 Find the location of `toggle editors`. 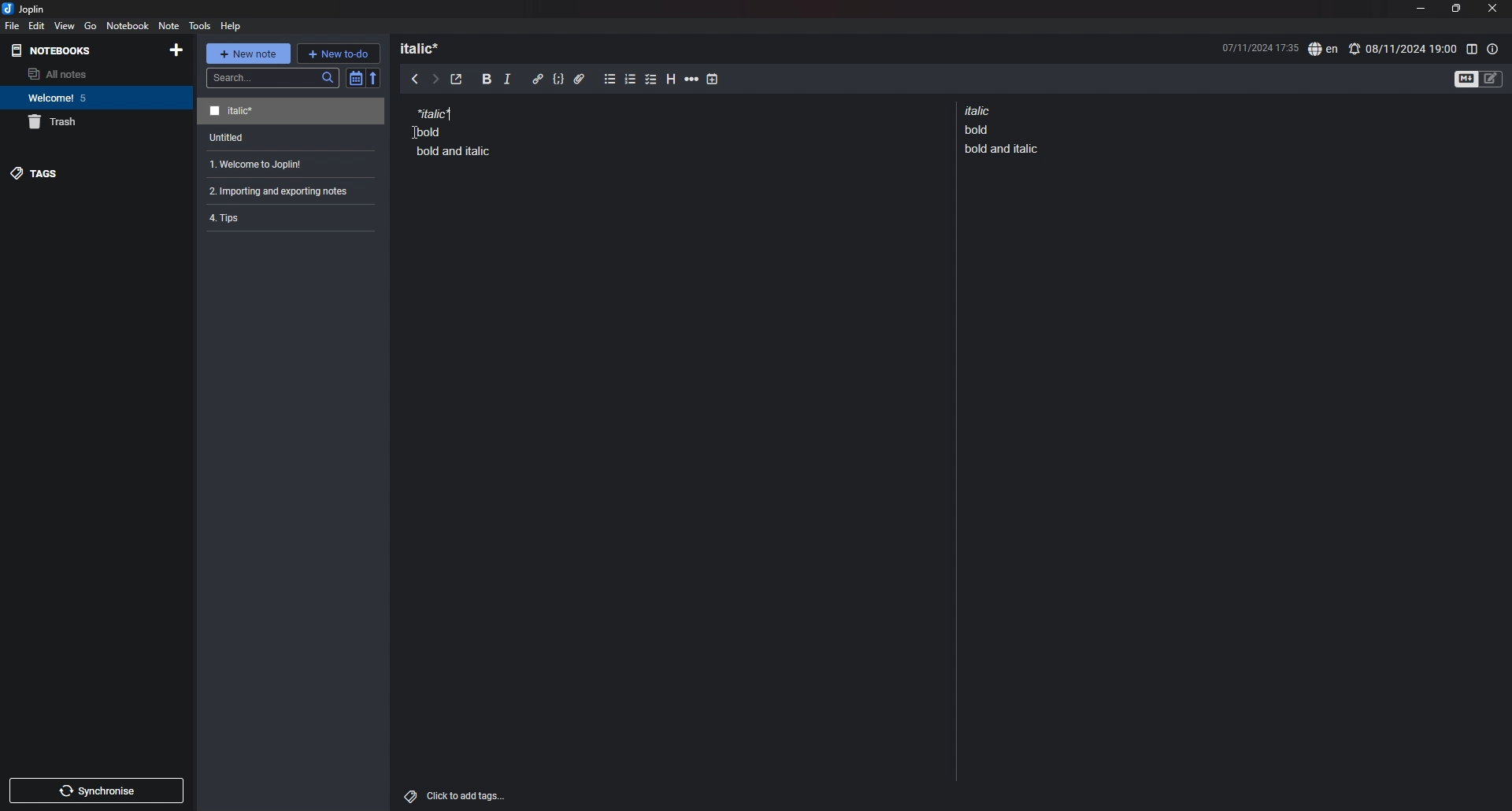

toggle editors is located at coordinates (1479, 78).